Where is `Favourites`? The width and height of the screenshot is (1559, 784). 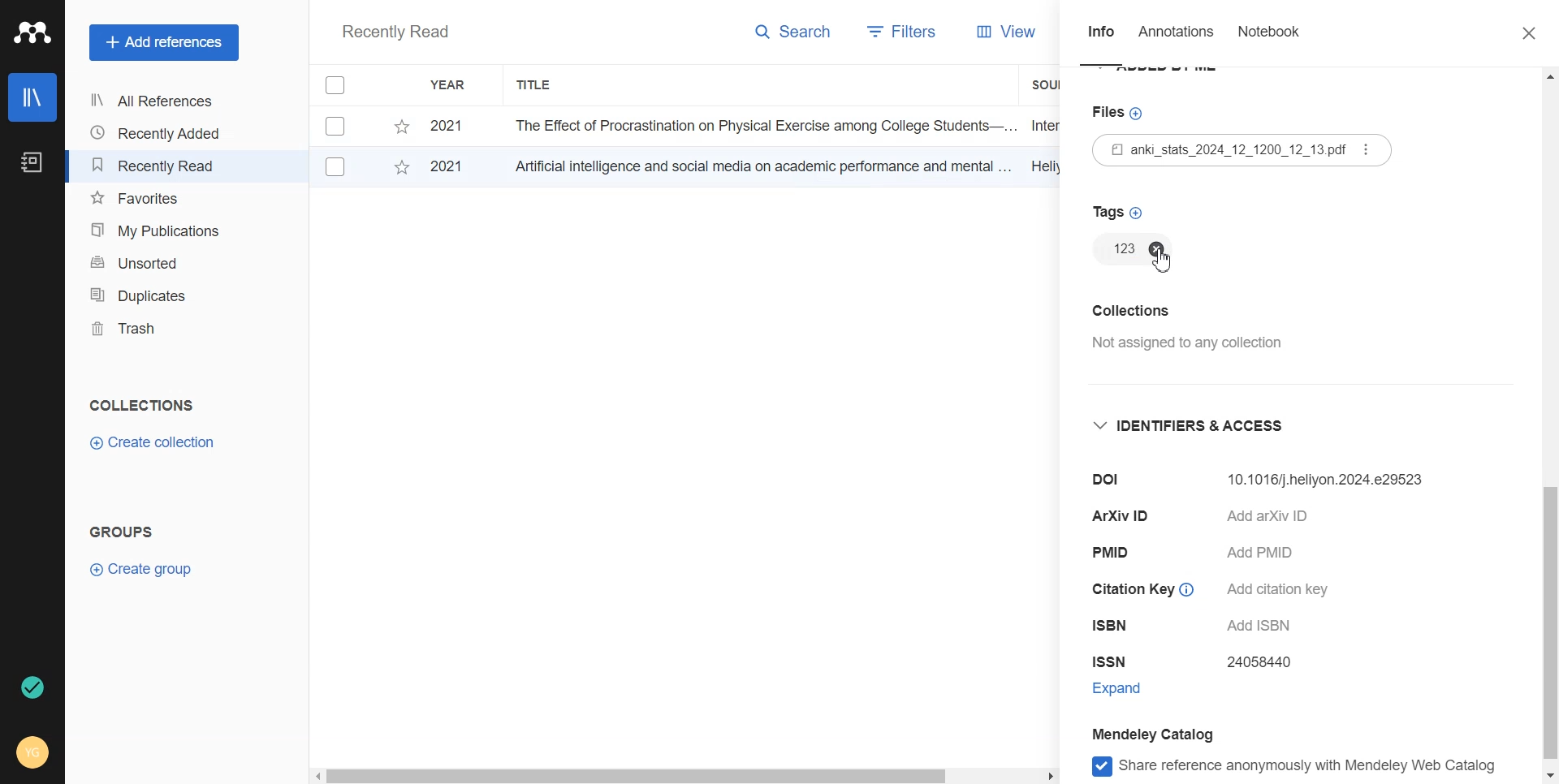 Favourites is located at coordinates (160, 199).